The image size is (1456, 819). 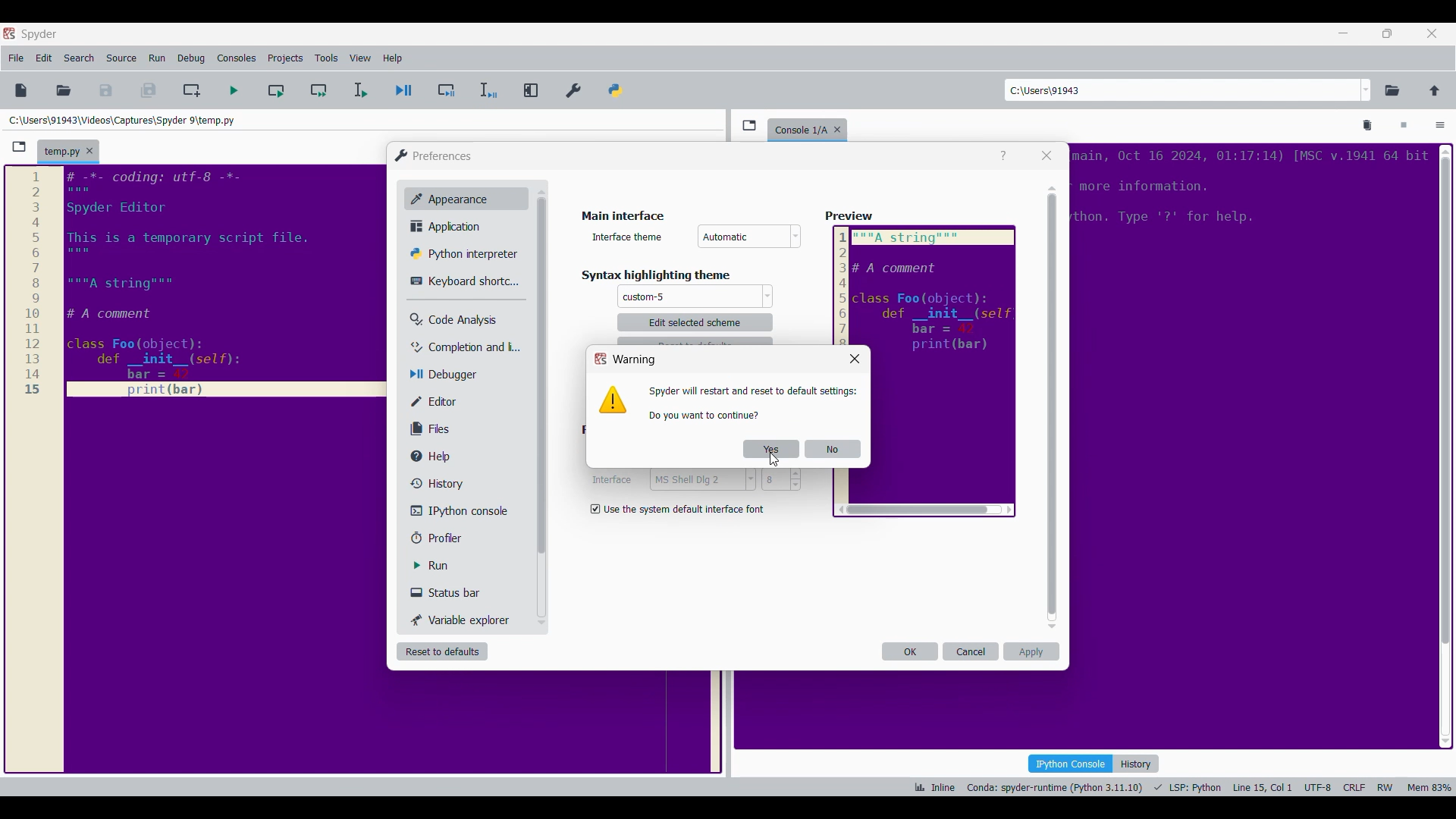 What do you see at coordinates (677, 510) in the screenshot?
I see `Toggle for default interface font` at bounding box center [677, 510].